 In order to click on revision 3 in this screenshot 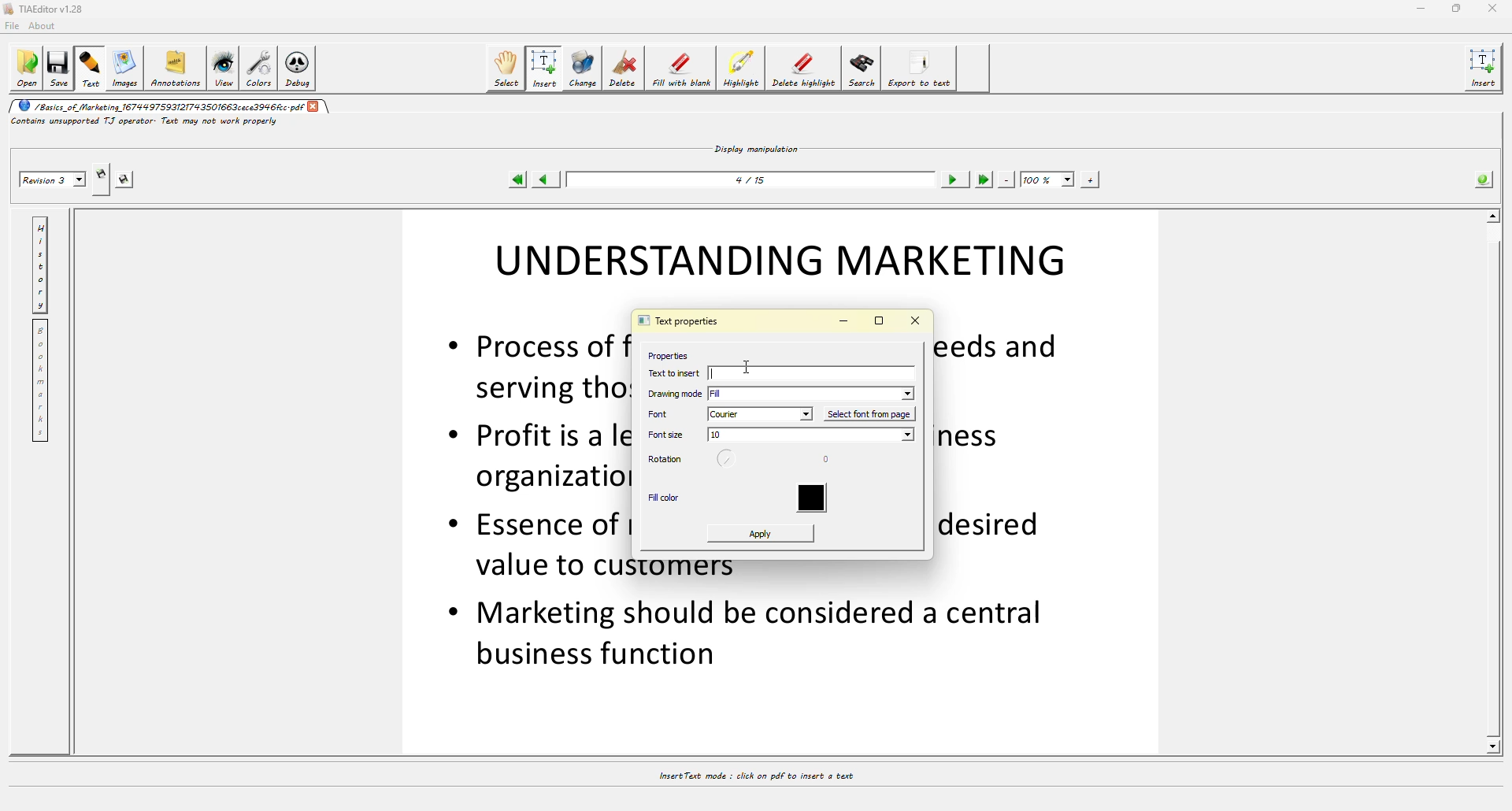, I will do `click(52, 181)`.